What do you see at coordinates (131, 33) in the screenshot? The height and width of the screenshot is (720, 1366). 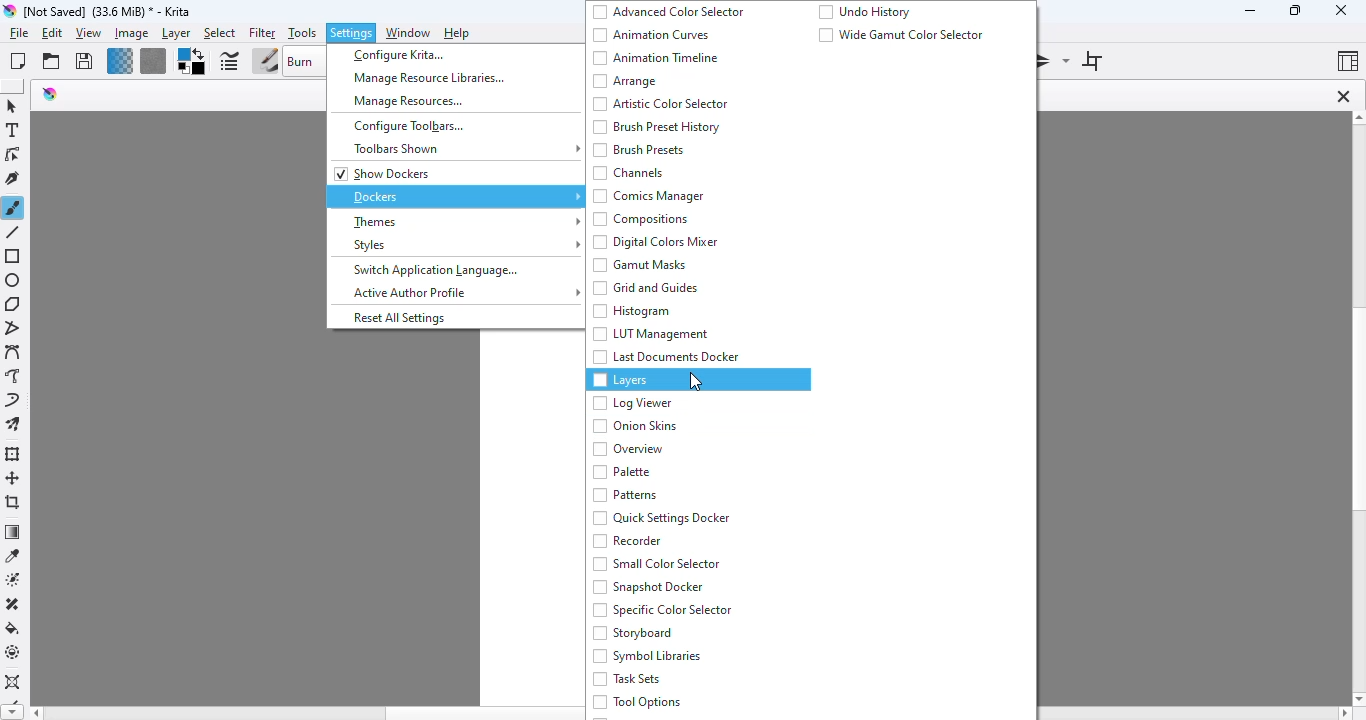 I see `image` at bounding box center [131, 33].